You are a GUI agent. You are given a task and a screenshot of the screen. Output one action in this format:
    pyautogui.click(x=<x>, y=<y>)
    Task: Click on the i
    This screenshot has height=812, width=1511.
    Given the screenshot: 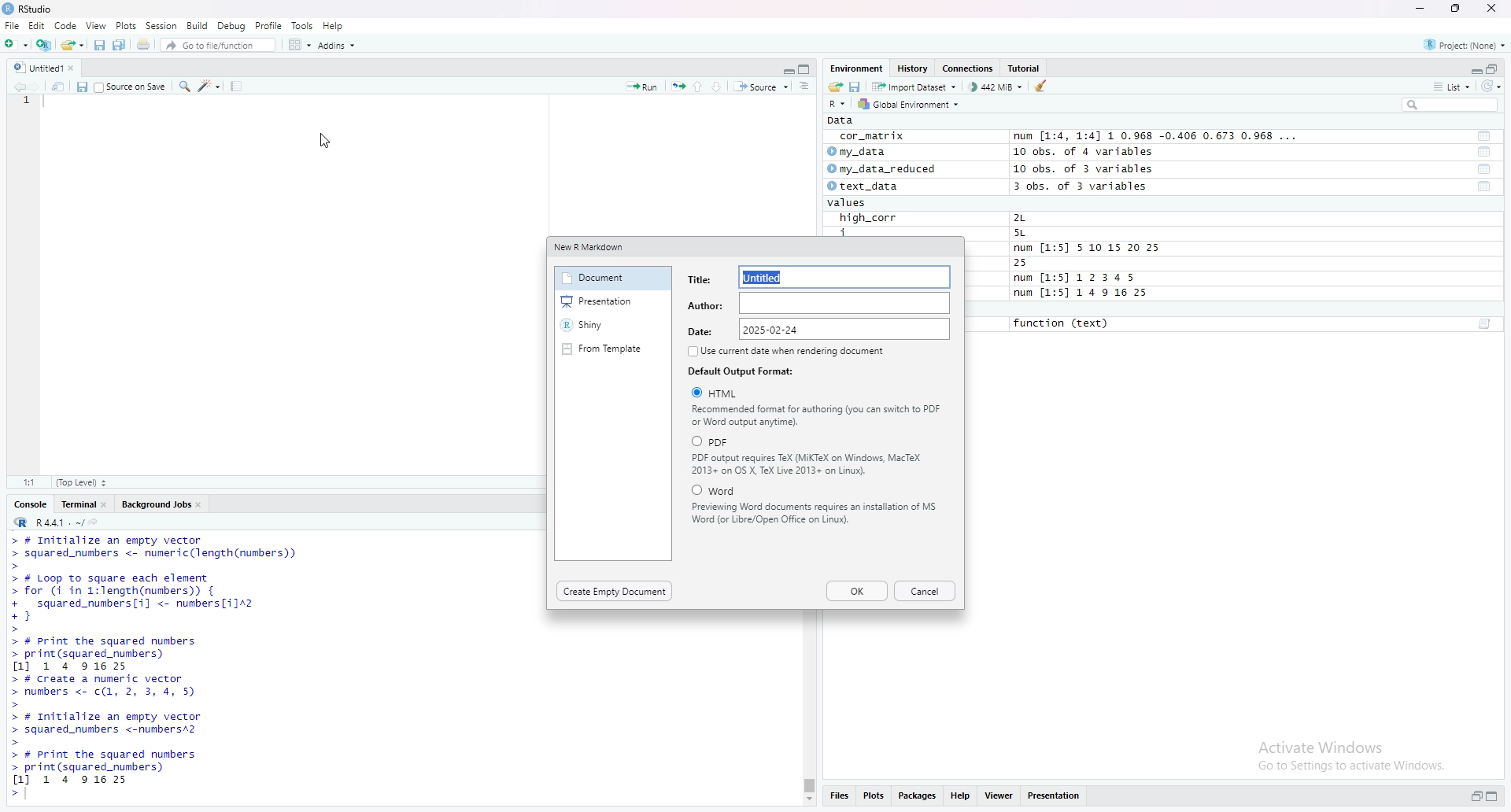 What is the action you would take?
    pyautogui.click(x=863, y=231)
    